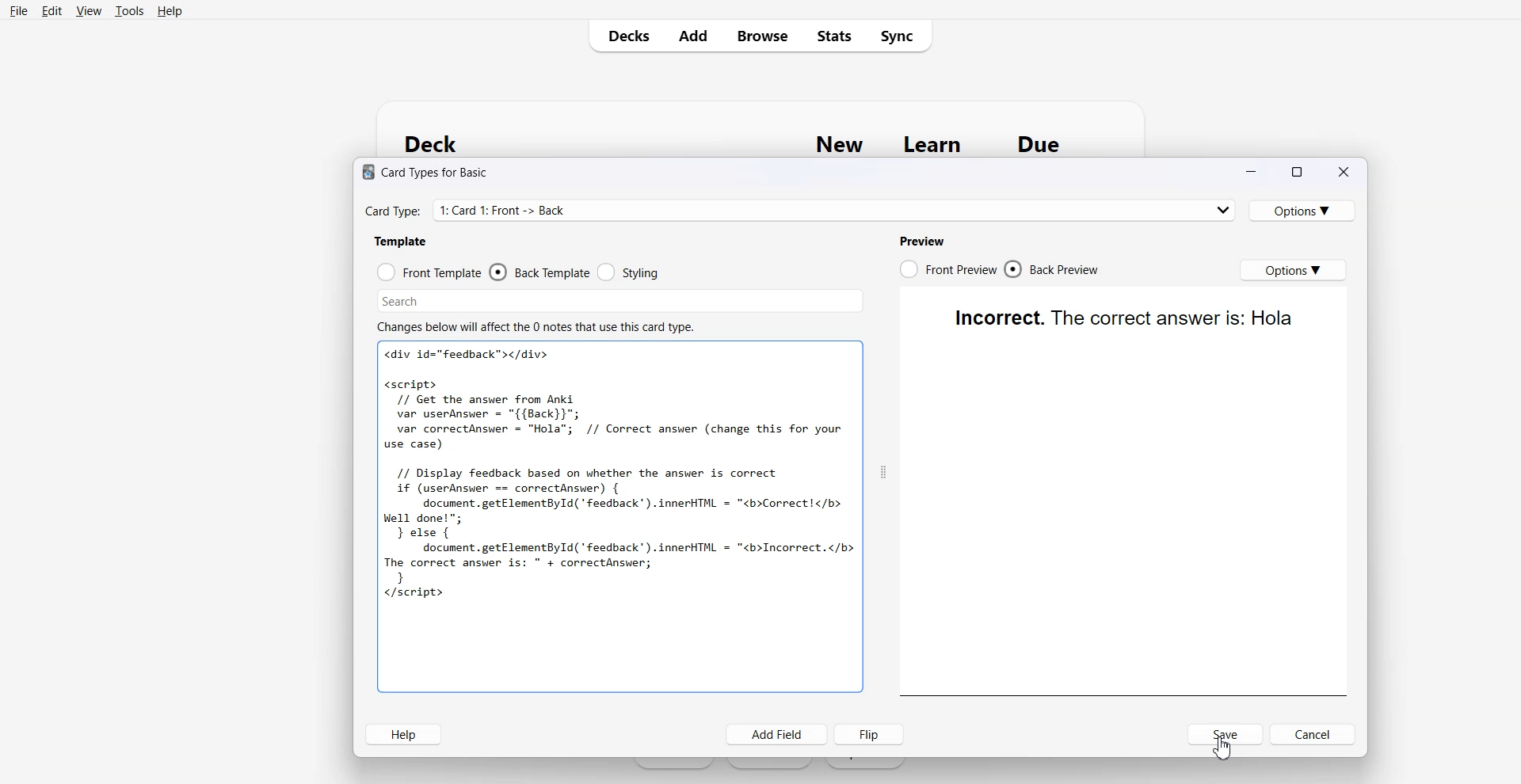 The height and width of the screenshot is (784, 1521). I want to click on Cancel, so click(1312, 734).